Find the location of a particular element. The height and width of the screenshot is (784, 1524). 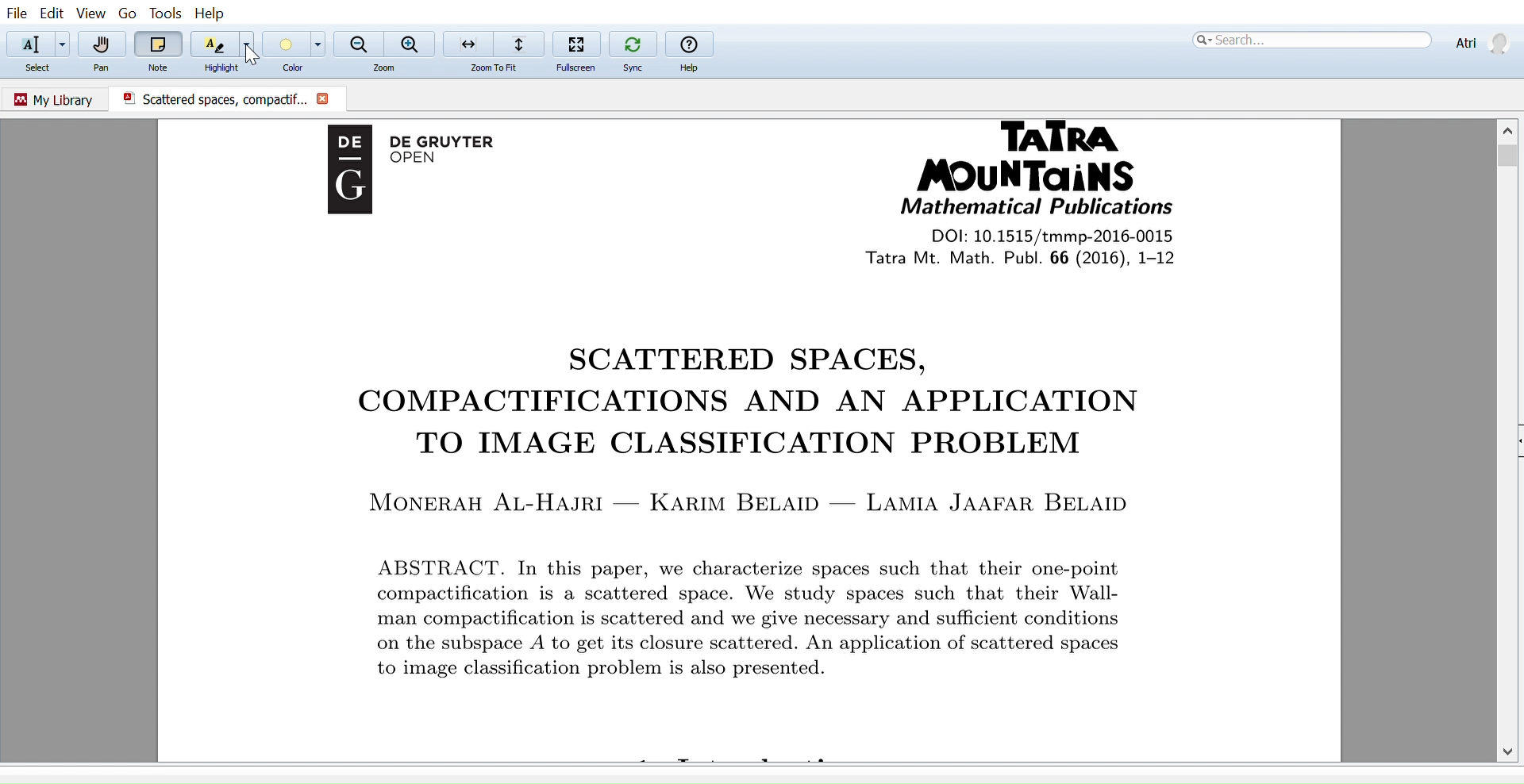

Tatra Mountains is located at coordinates (1045, 157).